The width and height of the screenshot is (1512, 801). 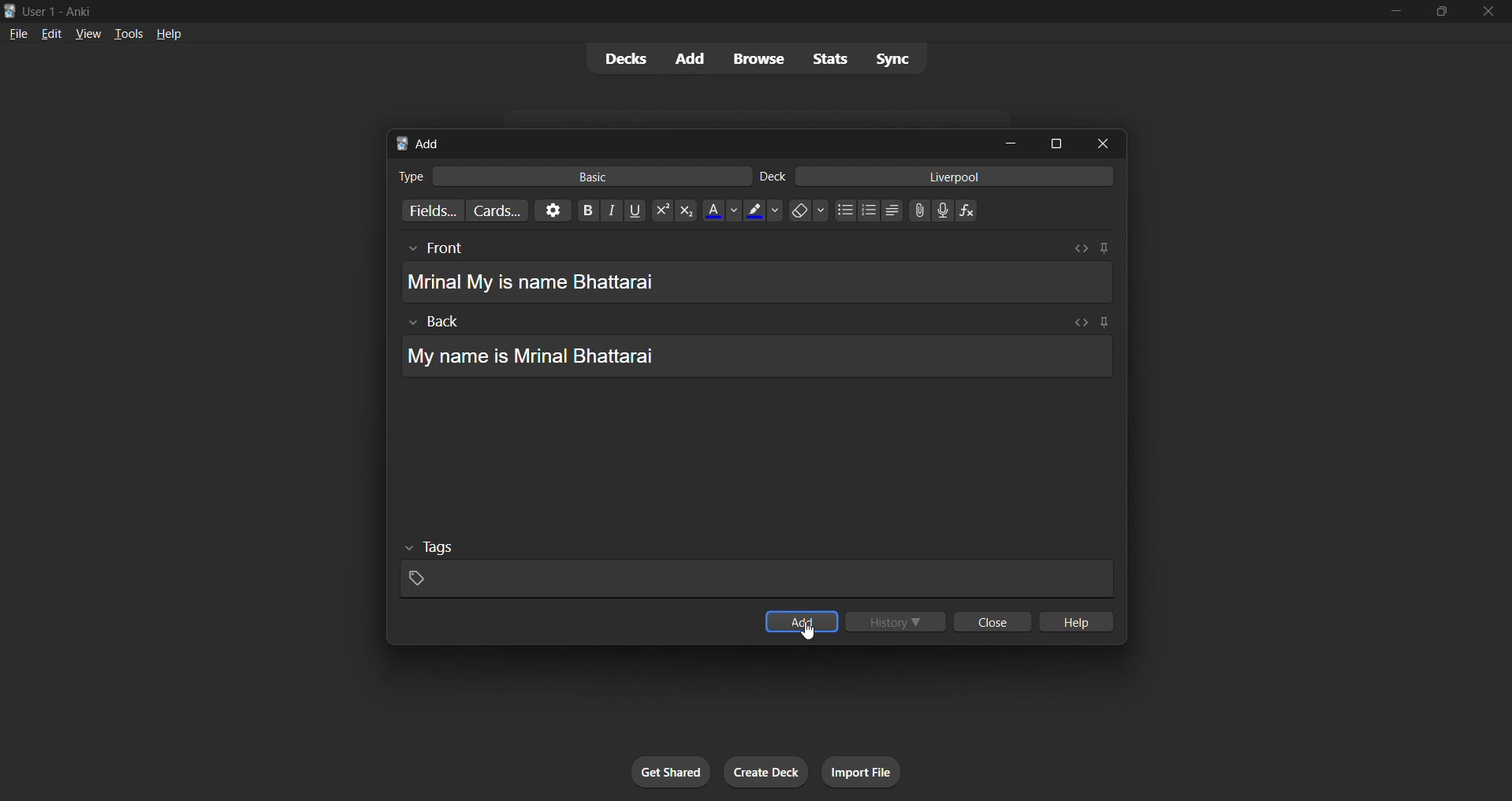 What do you see at coordinates (759, 568) in the screenshot?
I see `tags input field` at bounding box center [759, 568].